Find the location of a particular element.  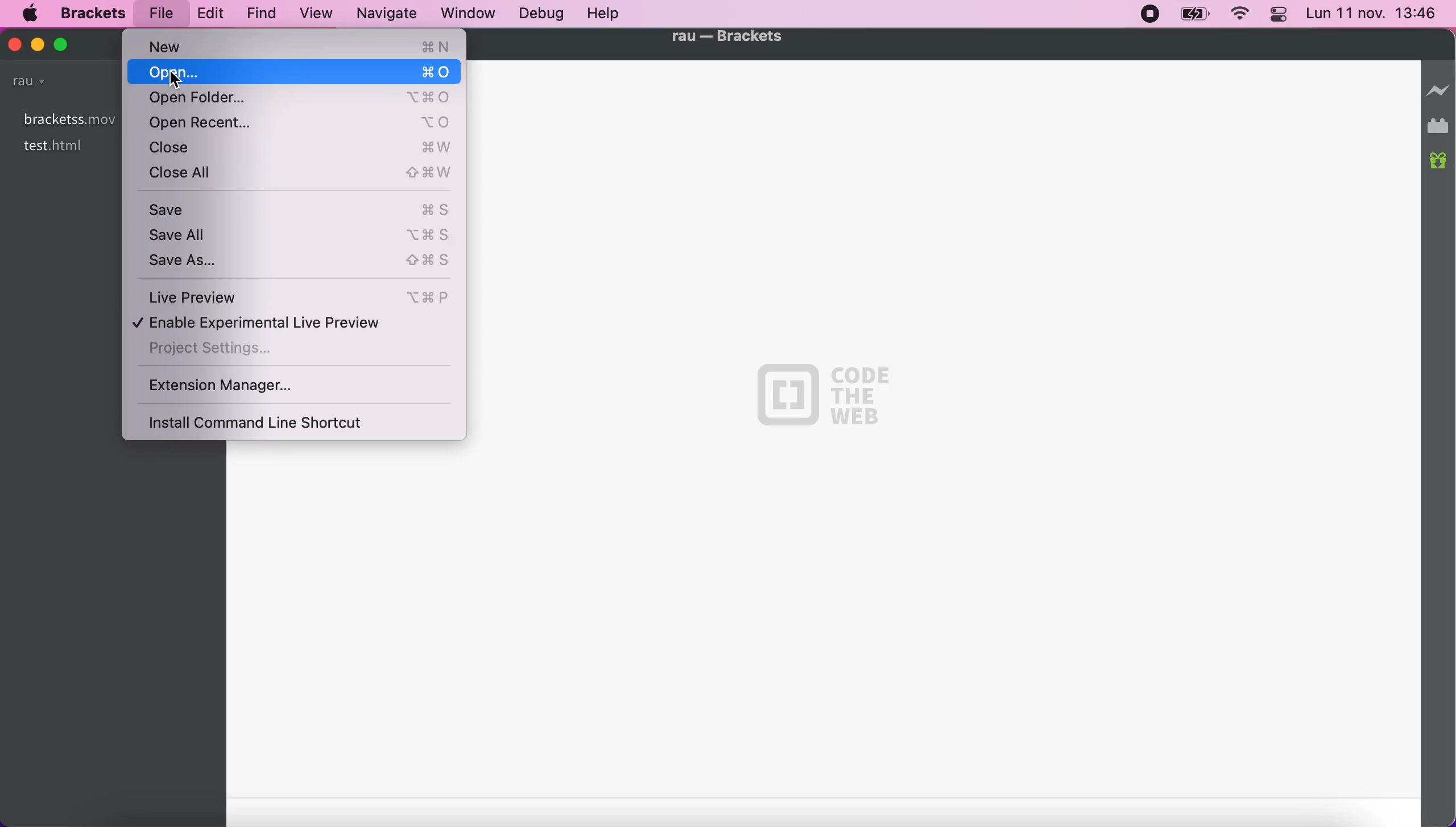

debug is located at coordinates (544, 13).